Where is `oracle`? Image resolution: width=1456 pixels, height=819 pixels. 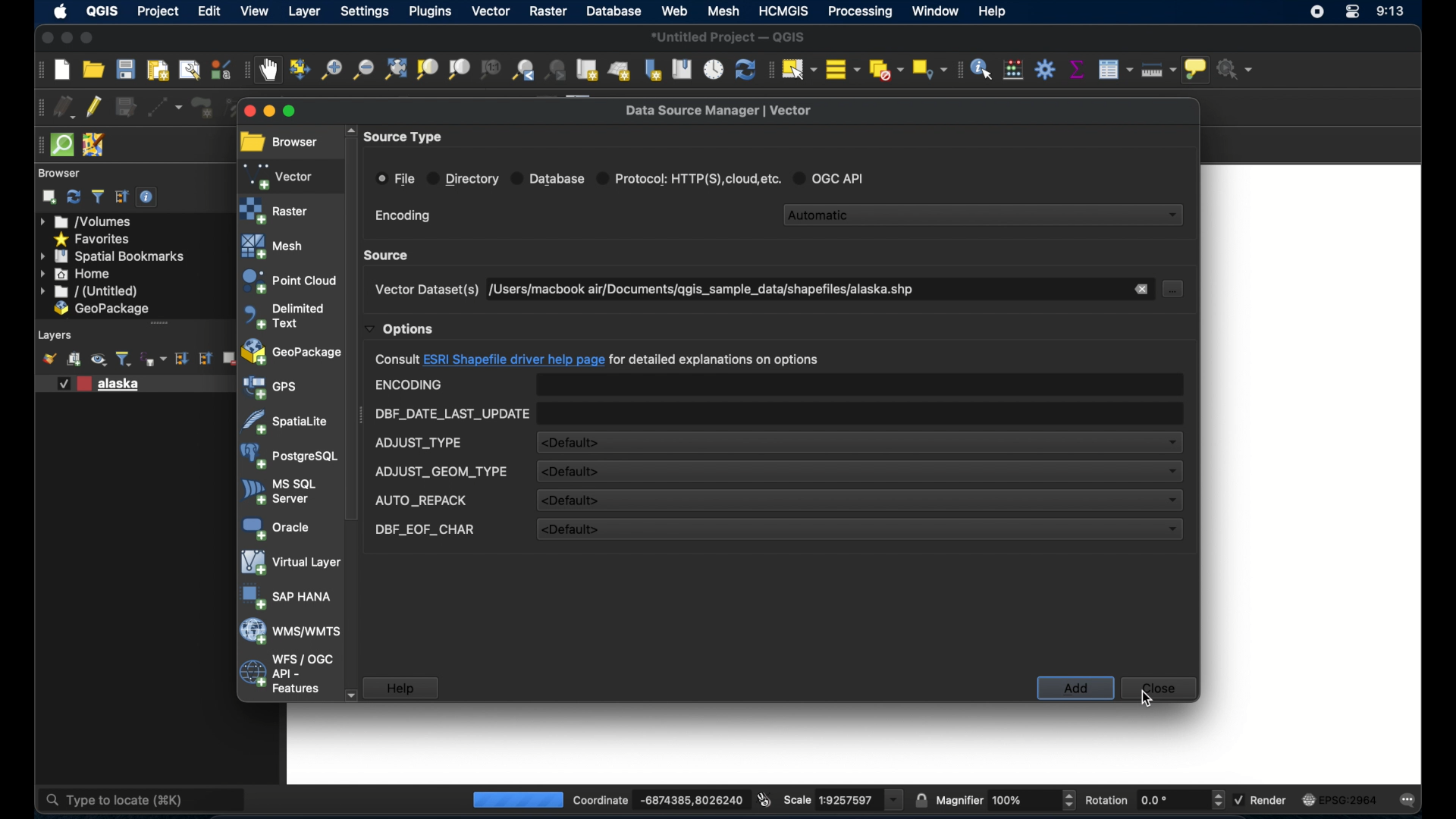 oracle is located at coordinates (274, 527).